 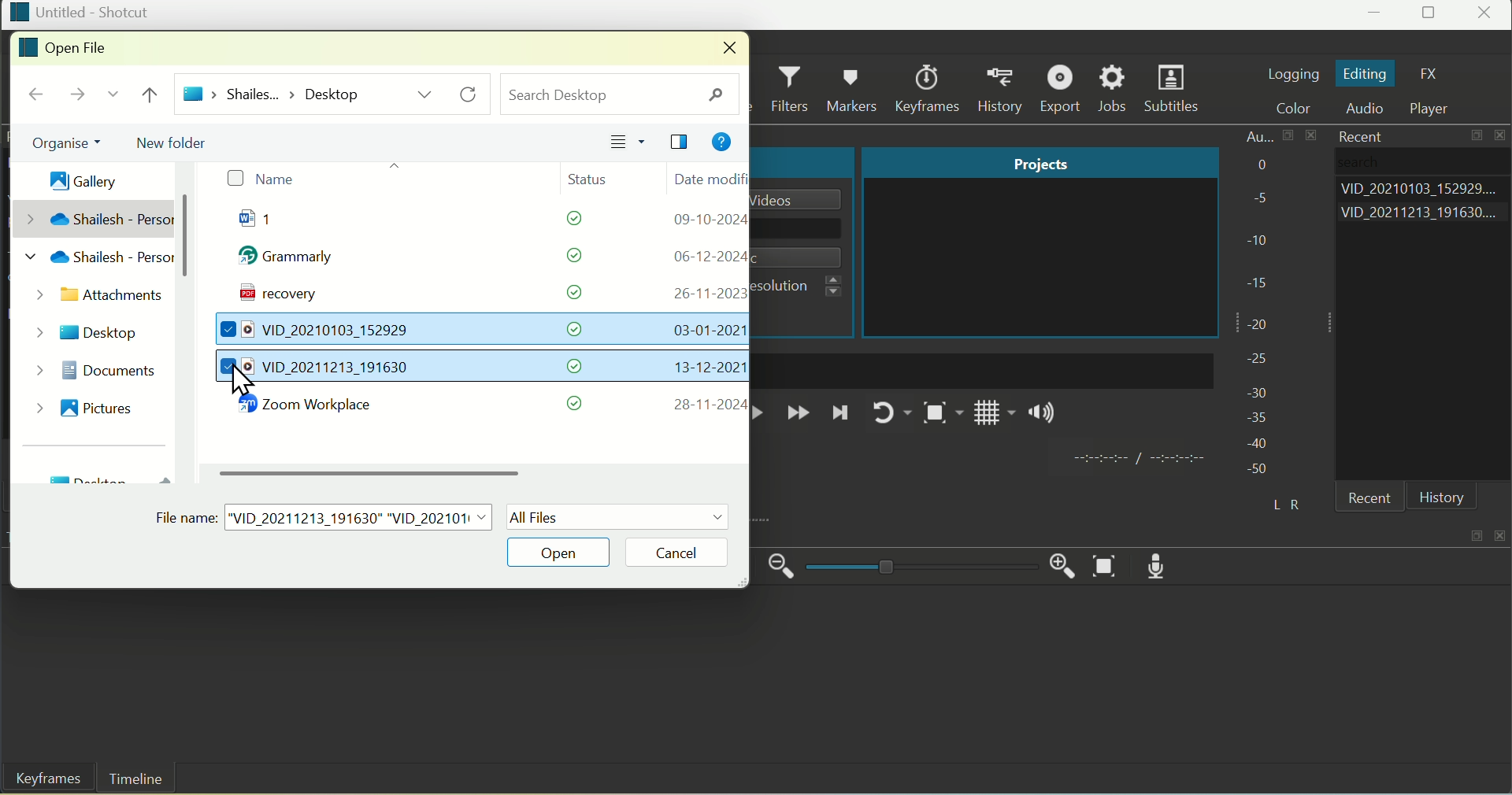 I want to click on Cursor, so click(x=243, y=383).